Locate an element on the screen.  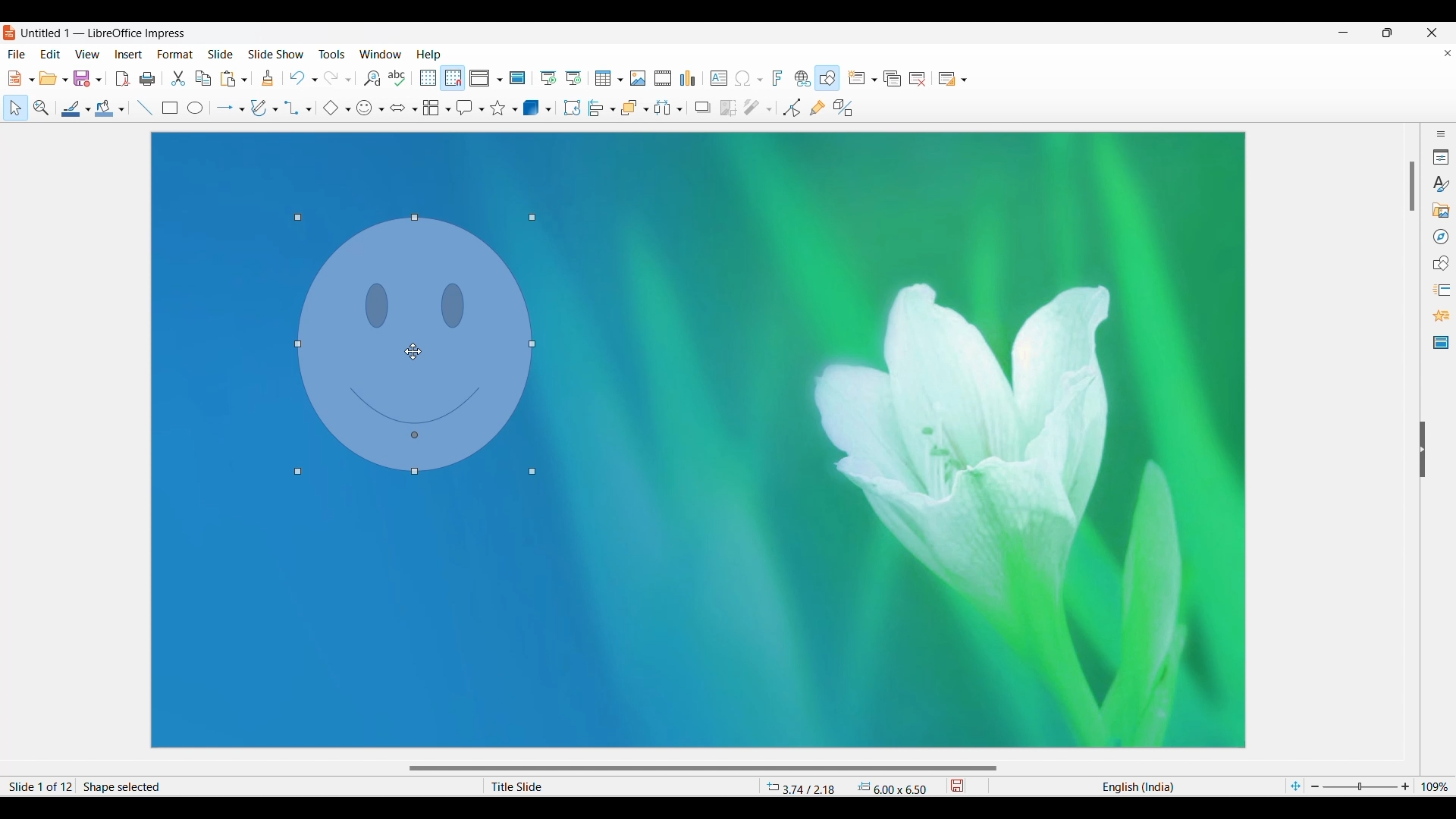
Gallery is located at coordinates (1440, 210).